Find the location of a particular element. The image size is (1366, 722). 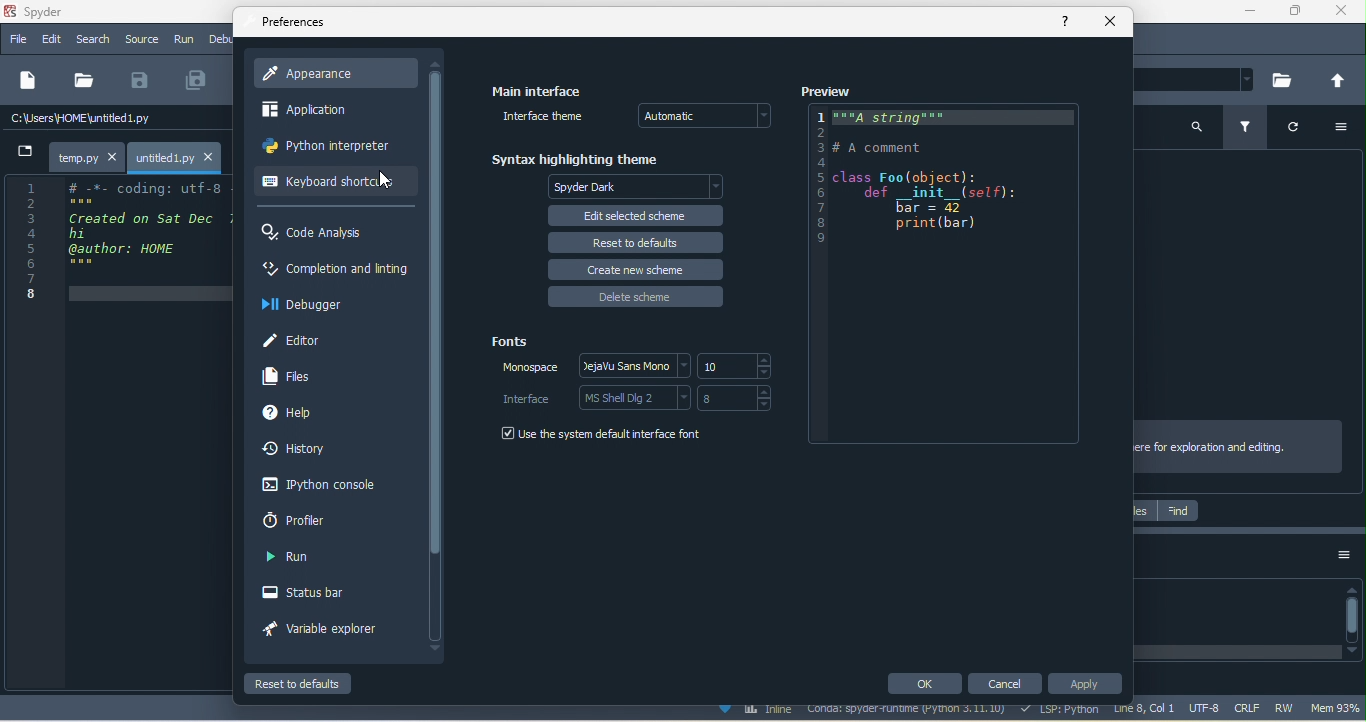

maximize is located at coordinates (1296, 12).